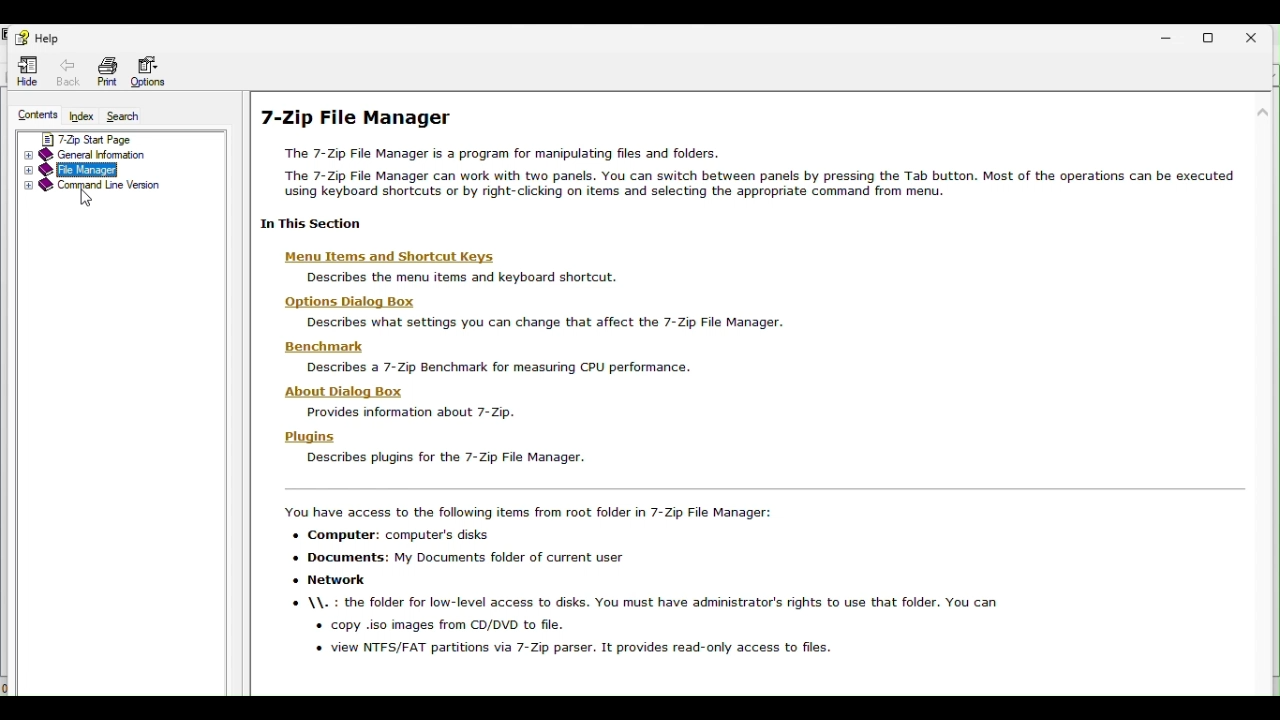  I want to click on Describes what settings you can change that affect the 7-Zip File Manager., so click(546, 324).